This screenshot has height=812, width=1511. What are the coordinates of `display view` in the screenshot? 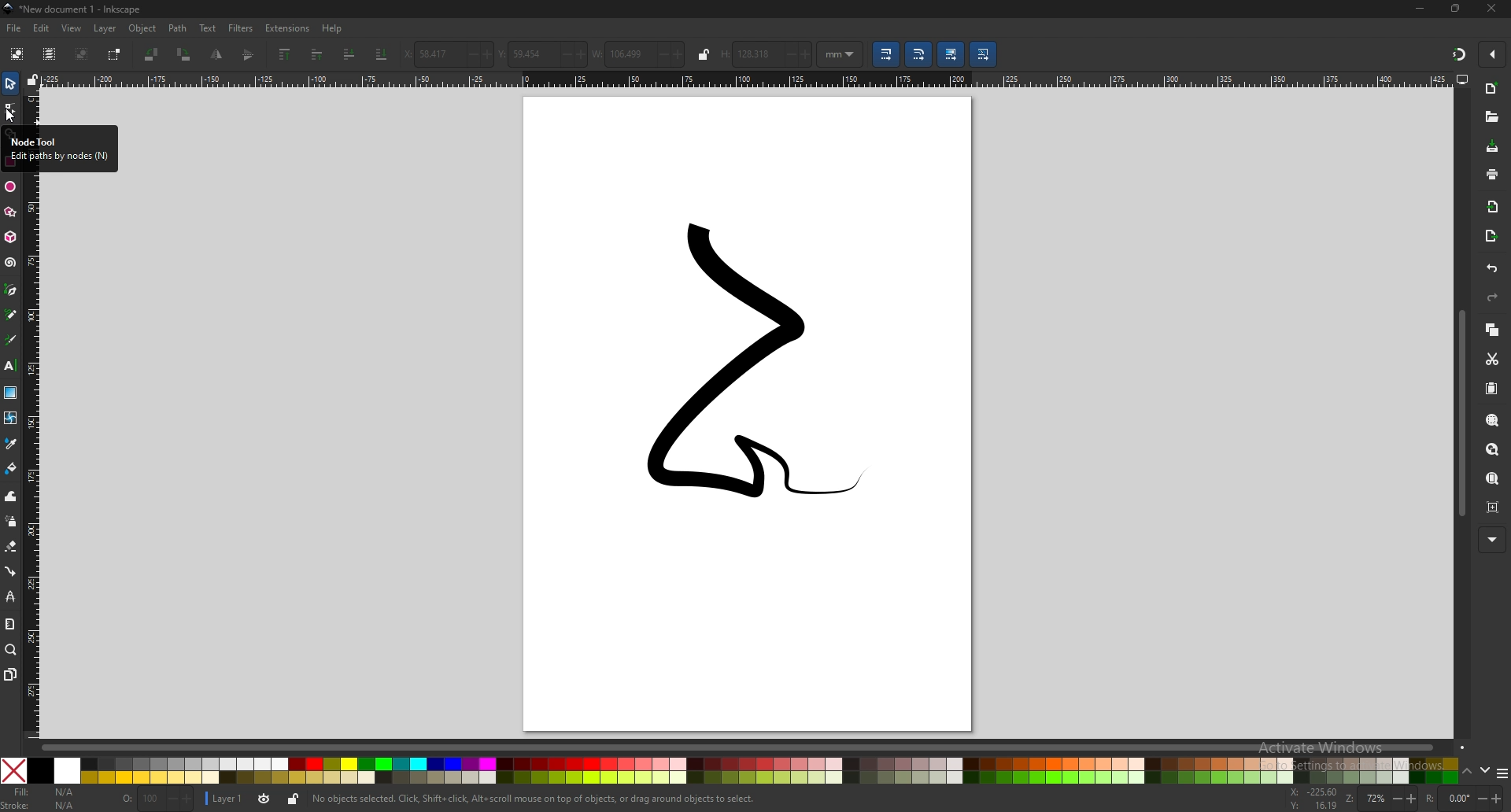 It's located at (1463, 79).